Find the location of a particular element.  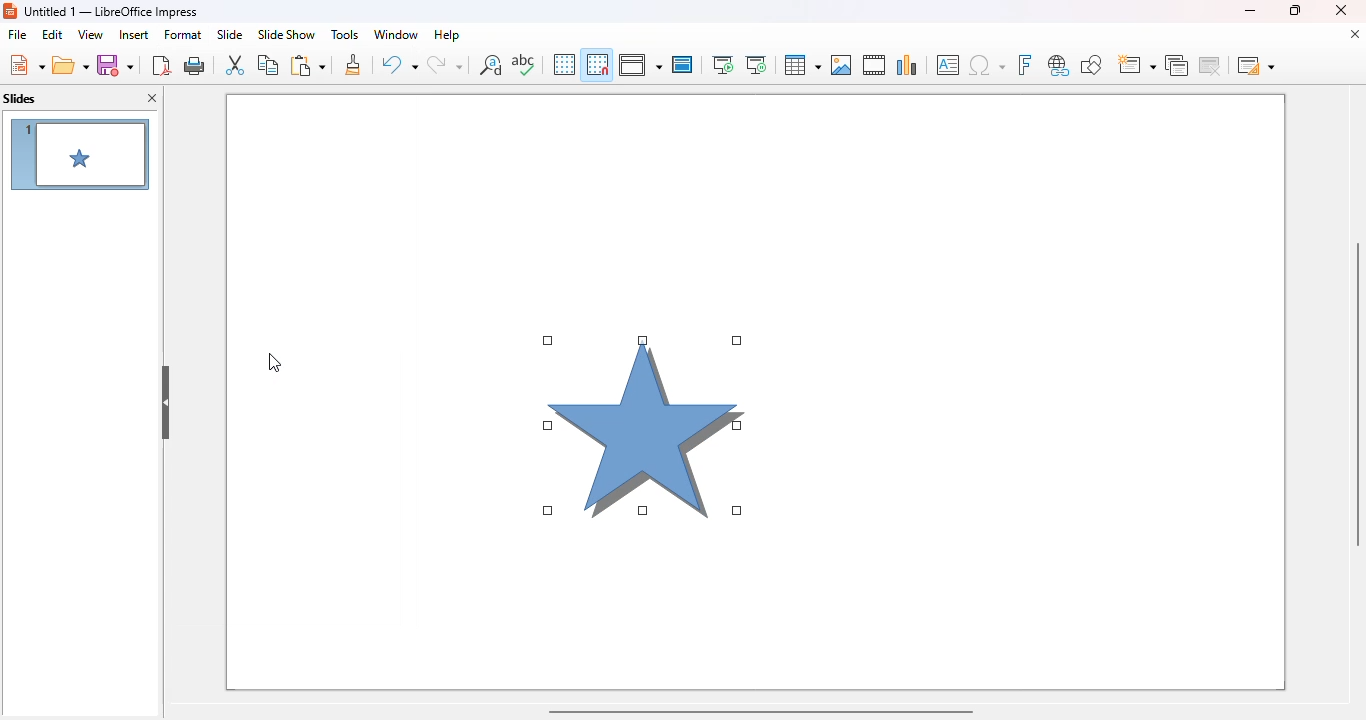

show draw functions is located at coordinates (1090, 64).